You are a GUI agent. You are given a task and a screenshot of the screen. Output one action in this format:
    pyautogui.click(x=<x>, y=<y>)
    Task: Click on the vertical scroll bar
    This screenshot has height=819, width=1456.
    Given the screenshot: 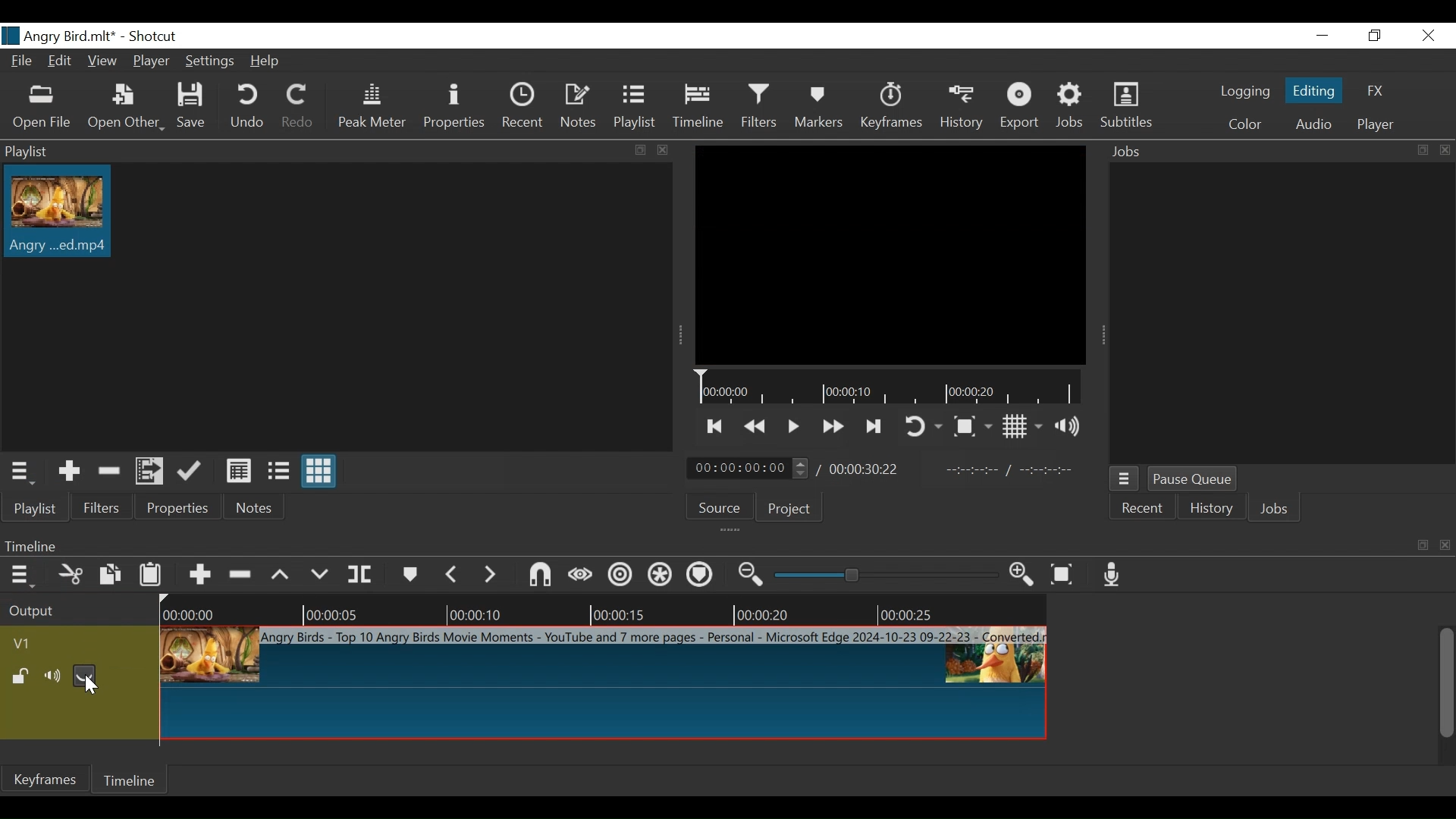 What is the action you would take?
    pyautogui.click(x=1439, y=698)
    